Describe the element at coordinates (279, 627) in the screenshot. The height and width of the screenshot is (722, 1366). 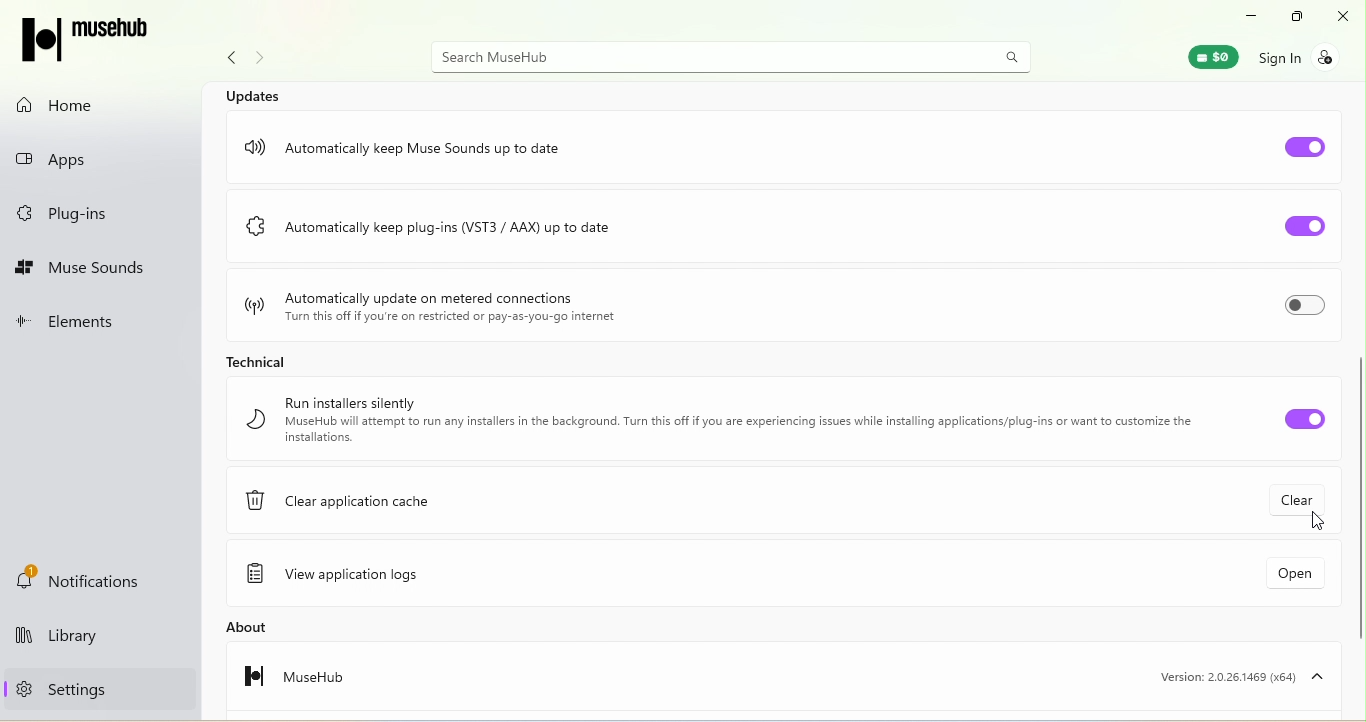
I see `About` at that location.